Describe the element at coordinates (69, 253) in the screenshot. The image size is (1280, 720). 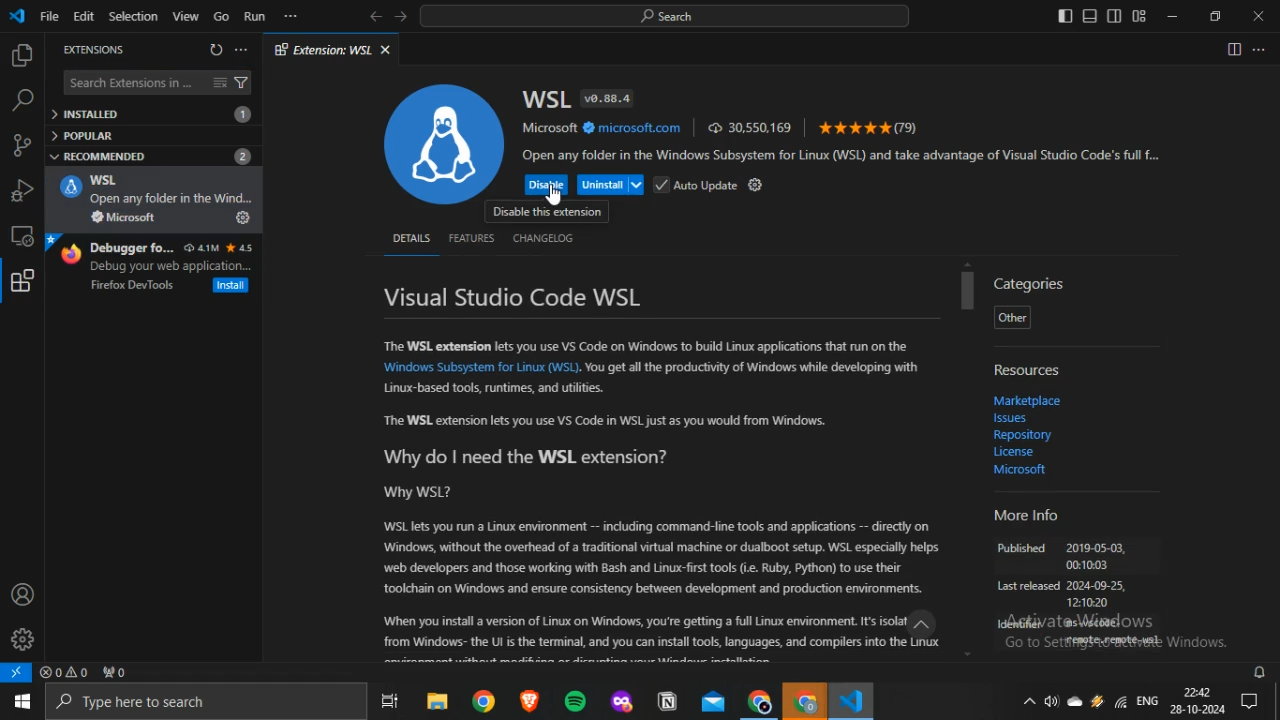
I see `firefox logo` at that location.